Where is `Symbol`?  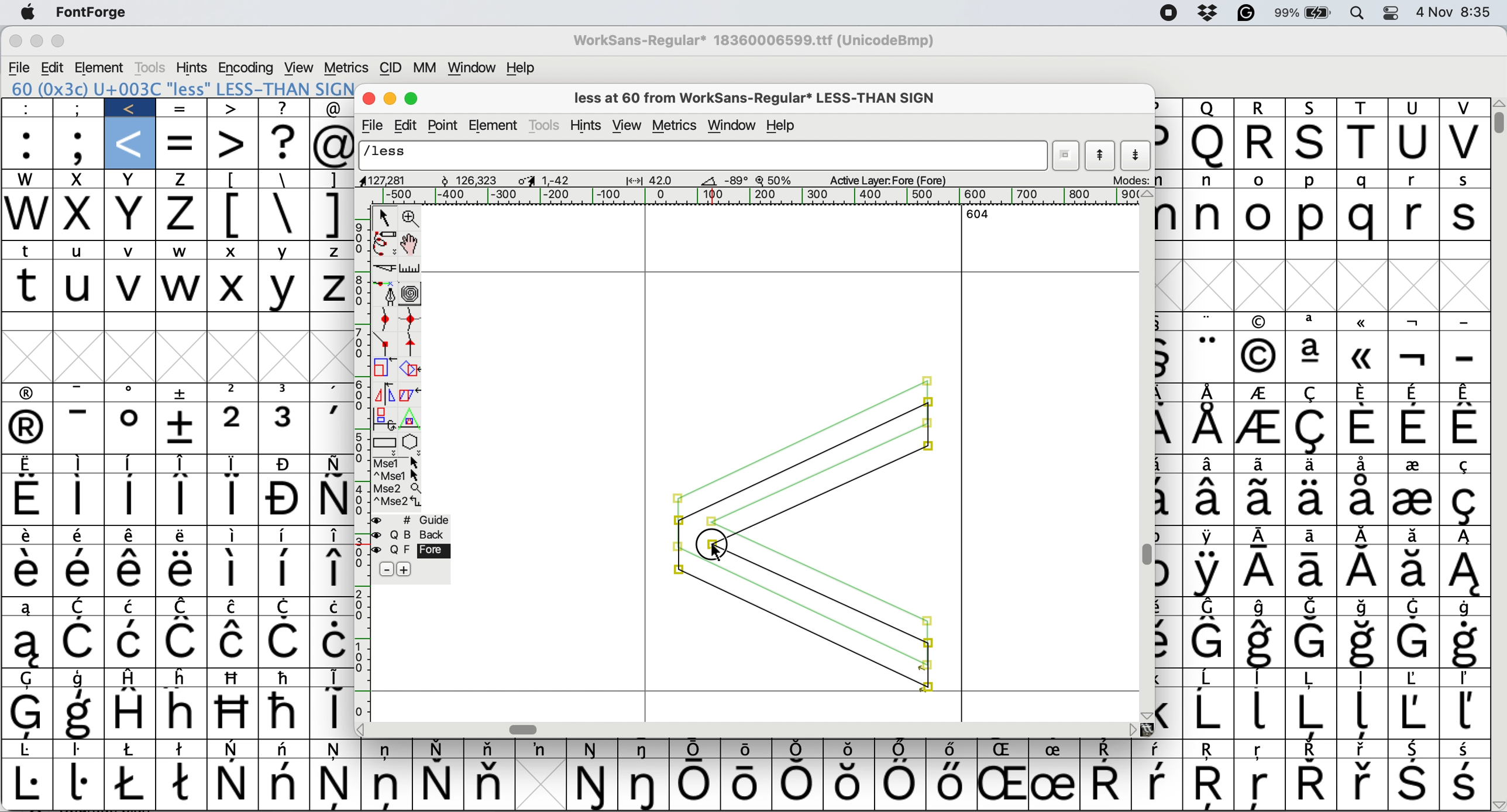
Symbol is located at coordinates (1312, 608).